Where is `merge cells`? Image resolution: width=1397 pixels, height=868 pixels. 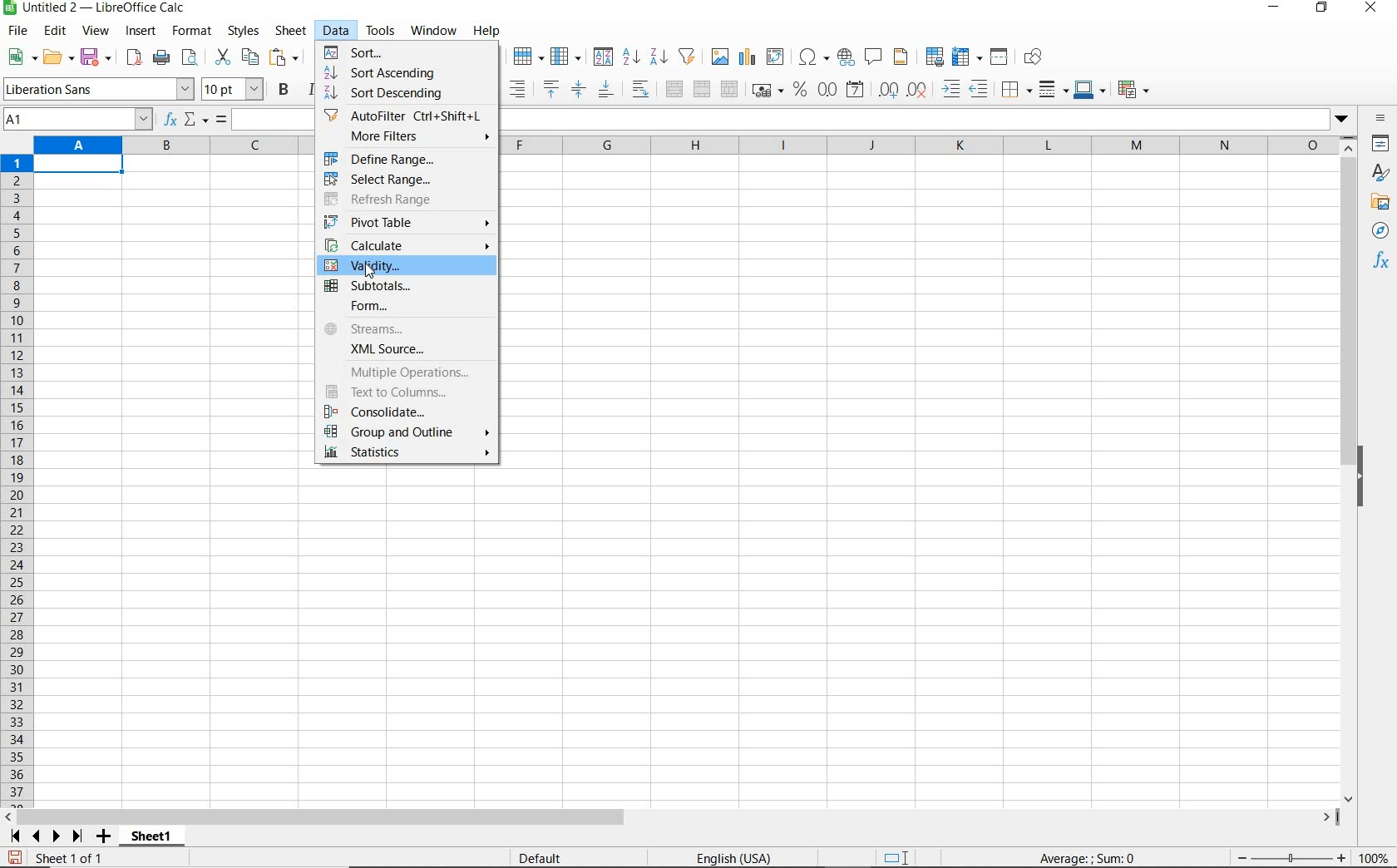
merge cells is located at coordinates (703, 87).